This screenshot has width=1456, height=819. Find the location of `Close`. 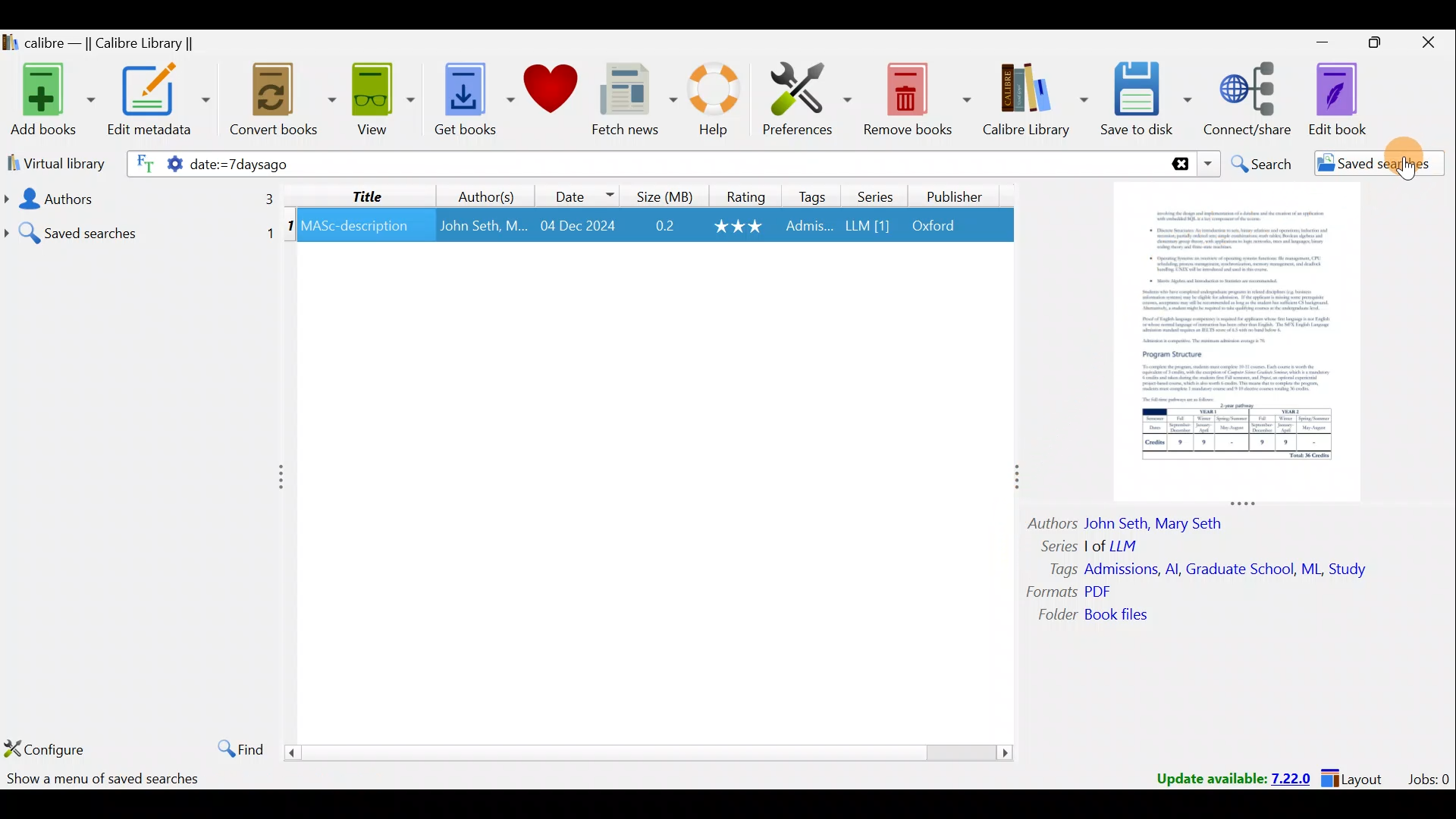

Close is located at coordinates (1426, 45).